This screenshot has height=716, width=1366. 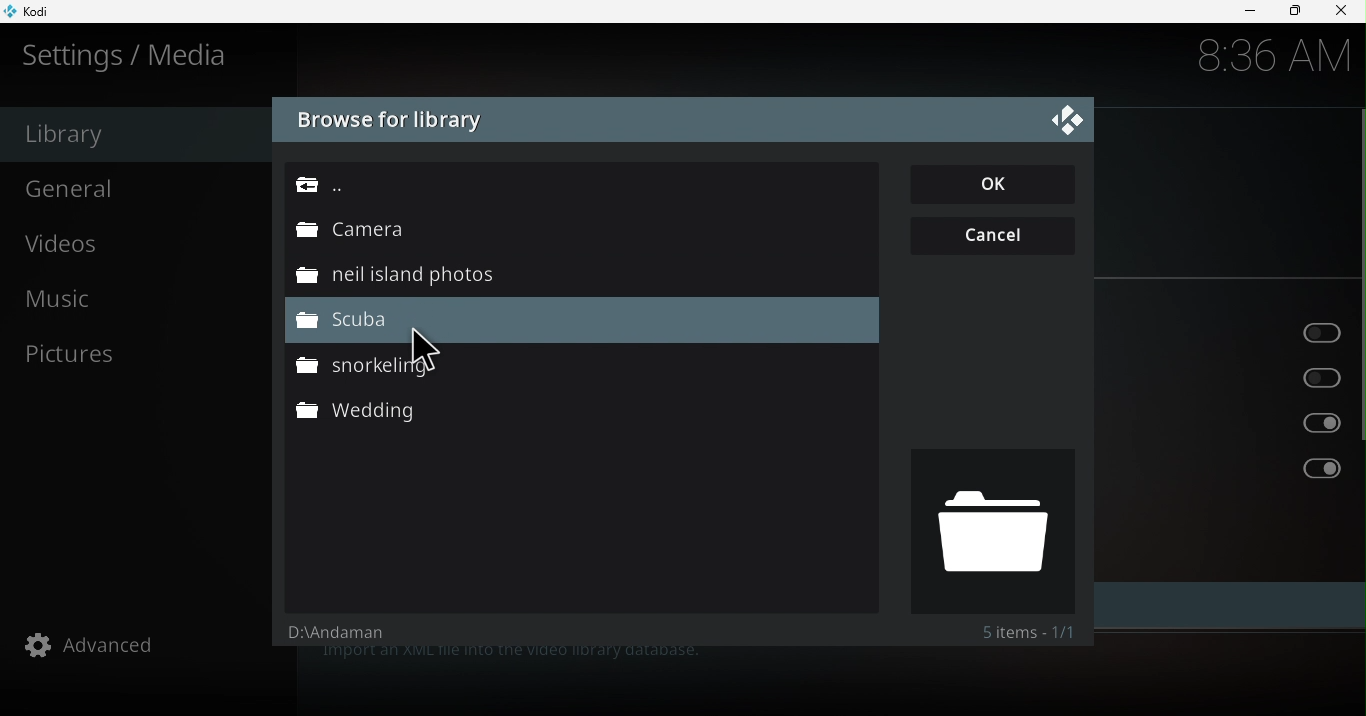 I want to click on Update library on startup, so click(x=1226, y=330).